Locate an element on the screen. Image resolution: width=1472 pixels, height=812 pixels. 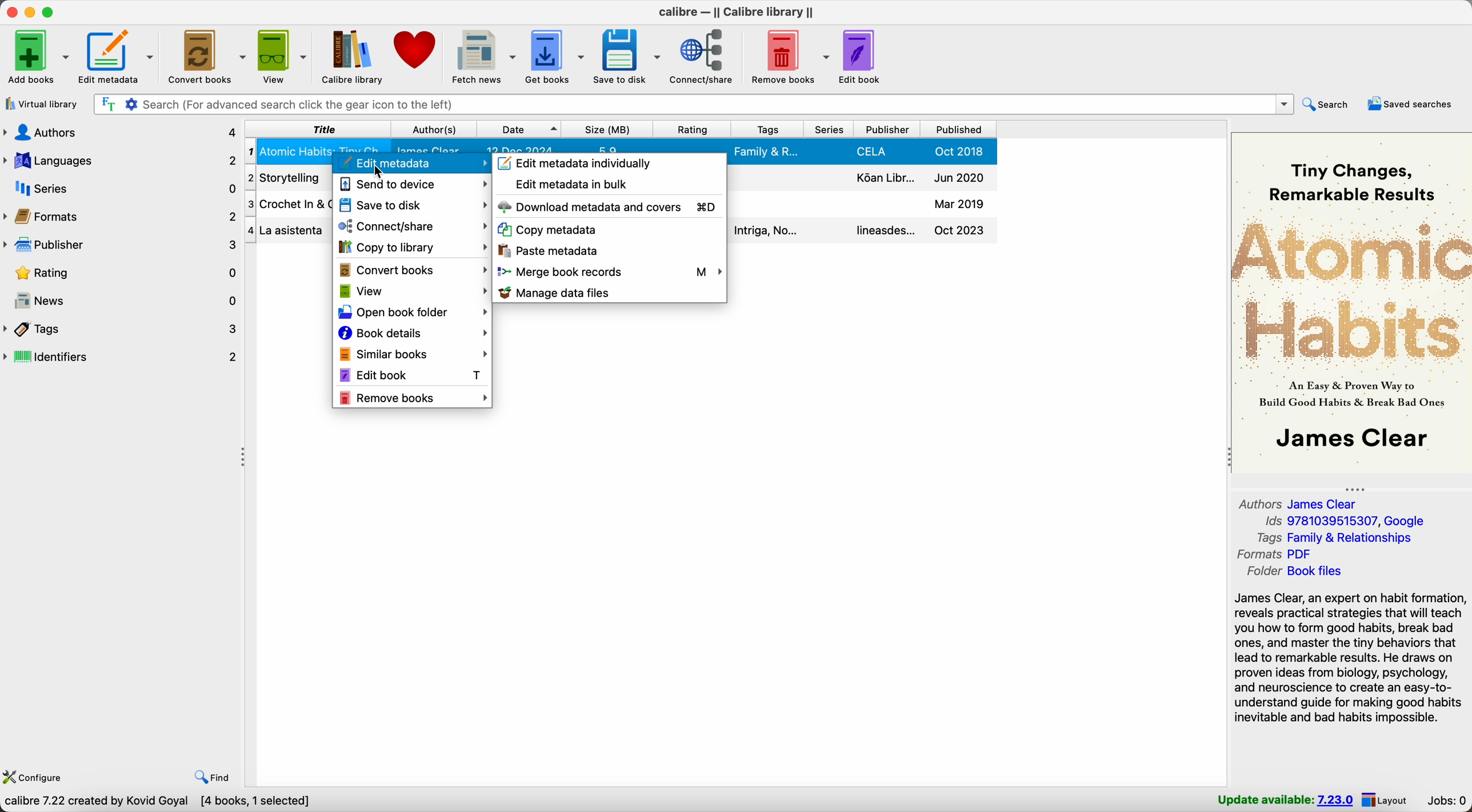
tags is located at coordinates (769, 128).